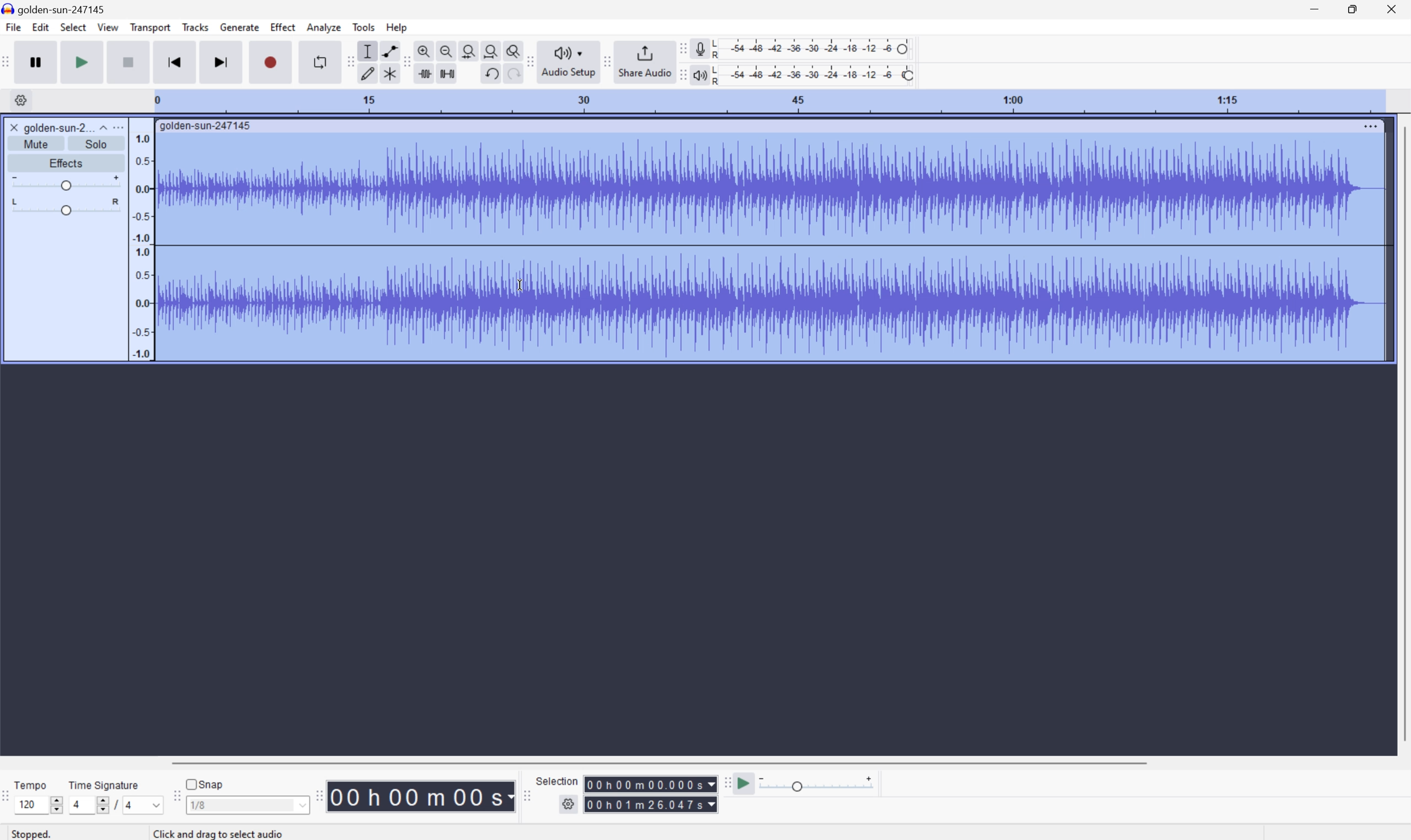  What do you see at coordinates (490, 49) in the screenshot?
I see `Fit project to width` at bounding box center [490, 49].